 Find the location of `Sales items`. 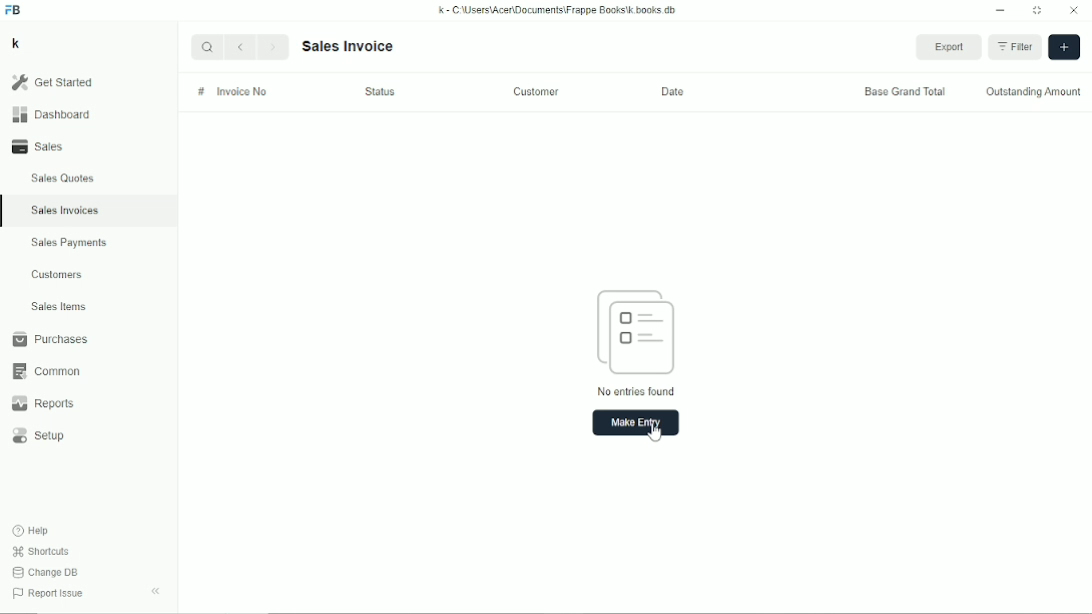

Sales items is located at coordinates (58, 307).